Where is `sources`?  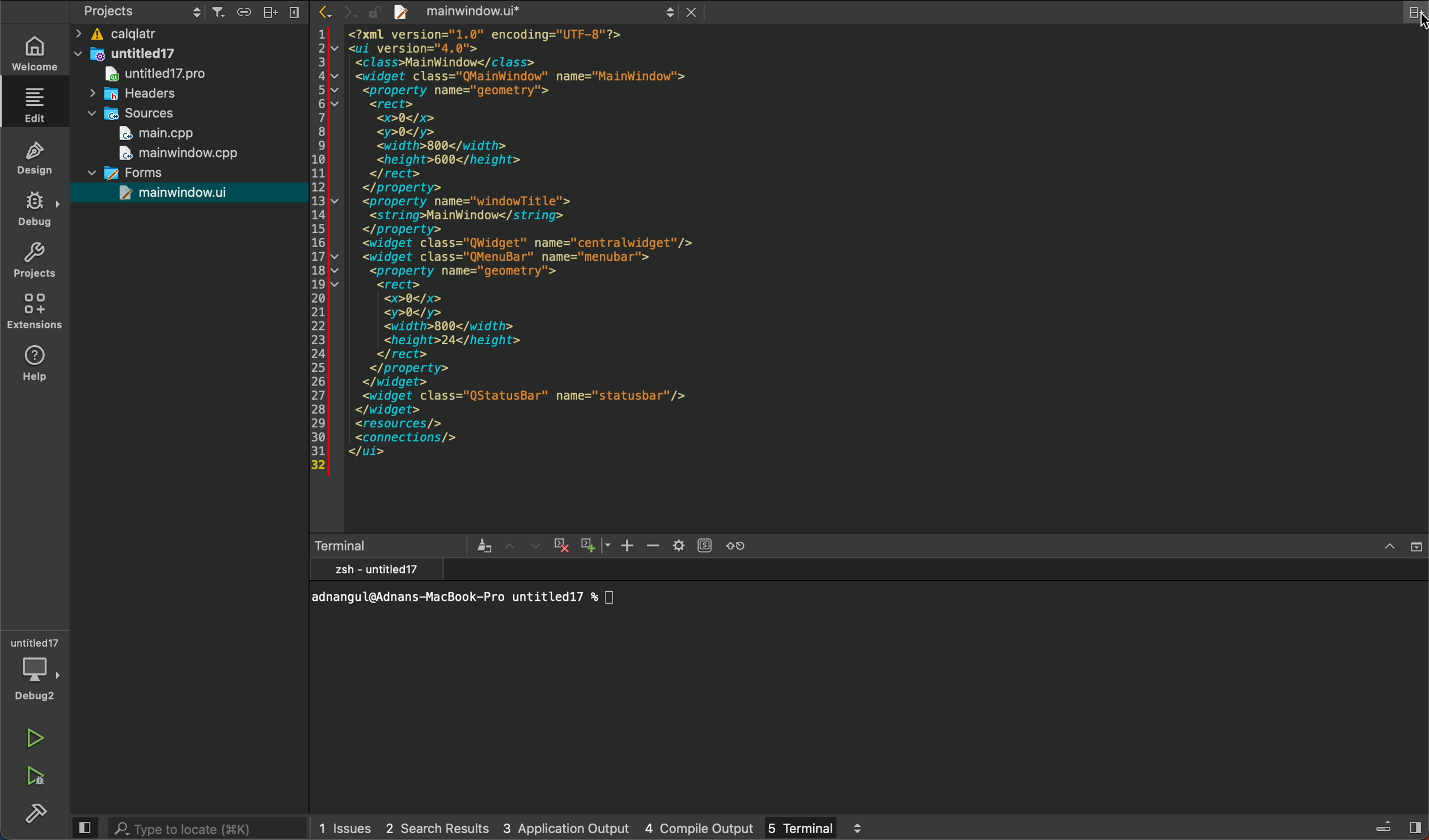
sources is located at coordinates (124, 115).